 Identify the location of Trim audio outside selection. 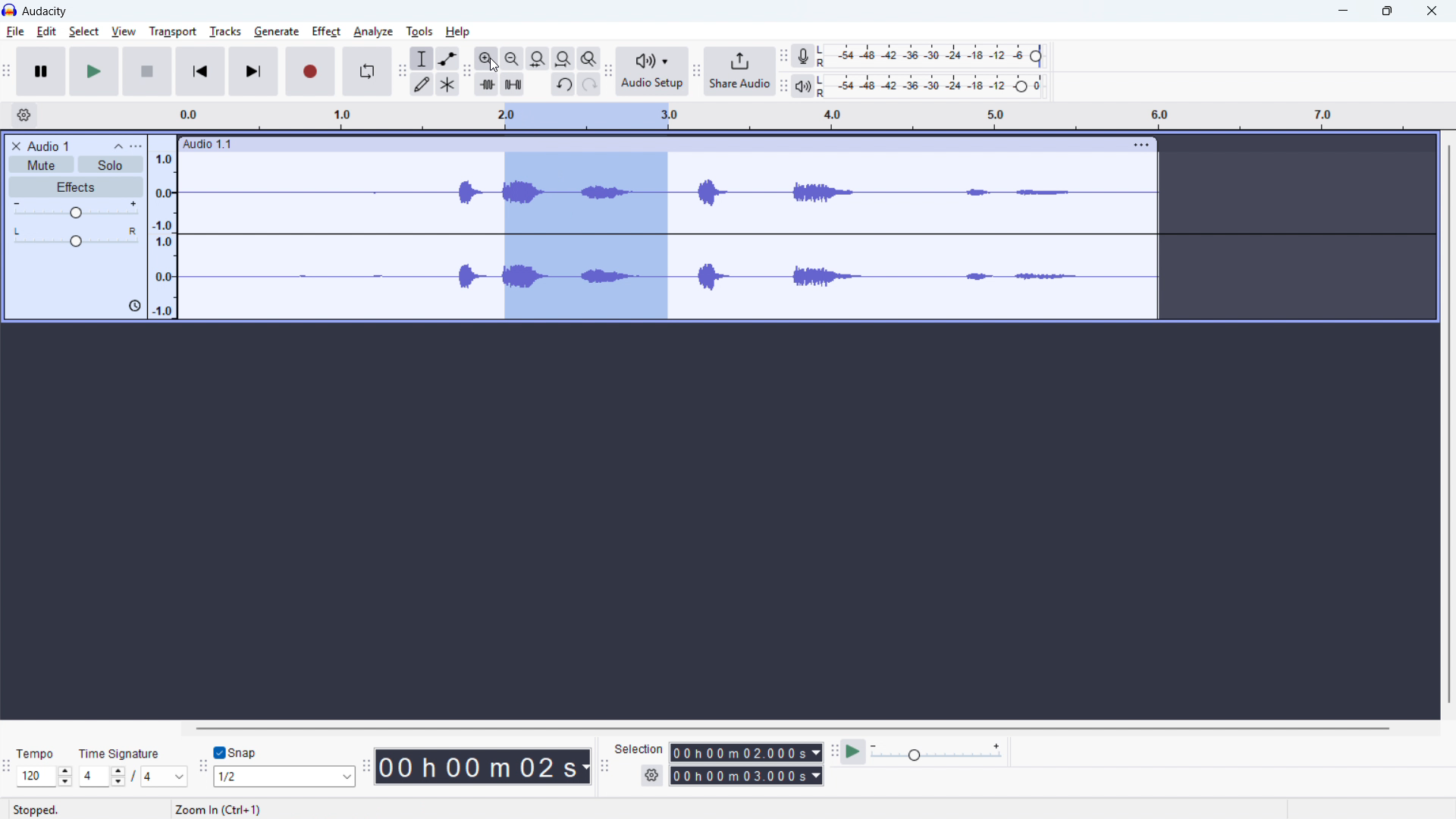
(487, 84).